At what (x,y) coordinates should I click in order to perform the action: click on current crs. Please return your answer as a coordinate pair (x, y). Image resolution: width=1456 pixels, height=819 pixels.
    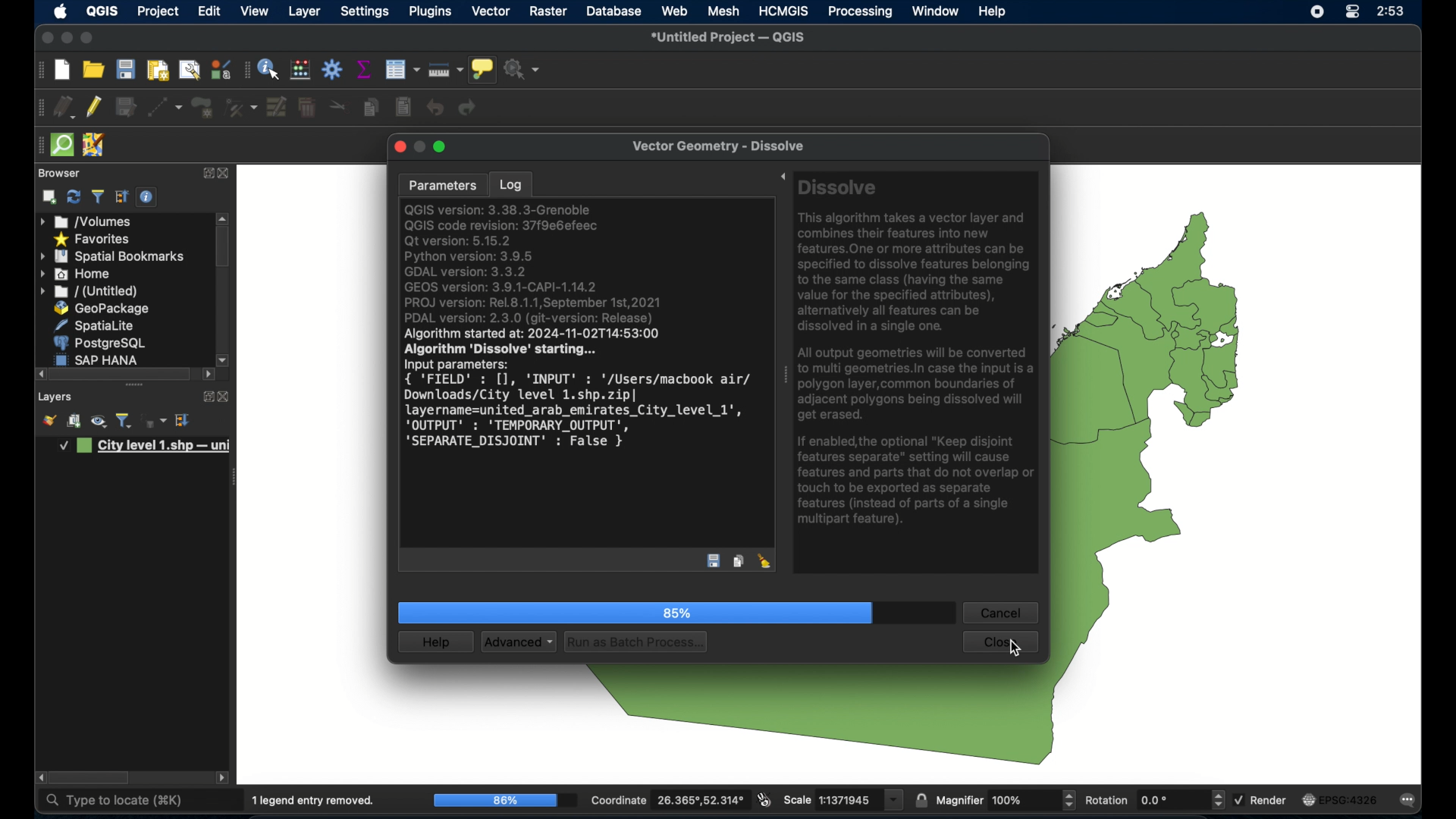
    Looking at the image, I should click on (1339, 799).